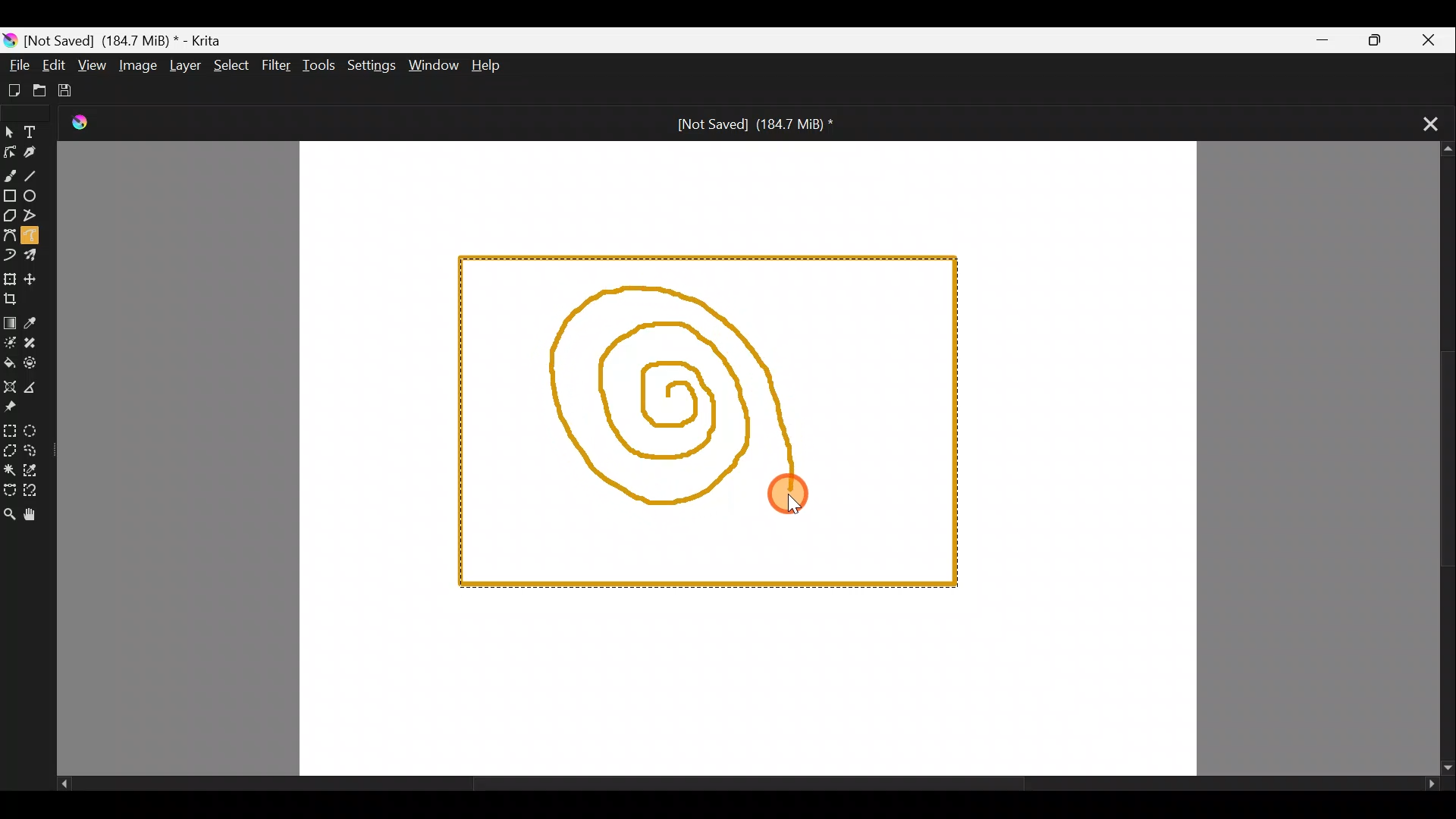  I want to click on Rectangular selection tool, so click(10, 428).